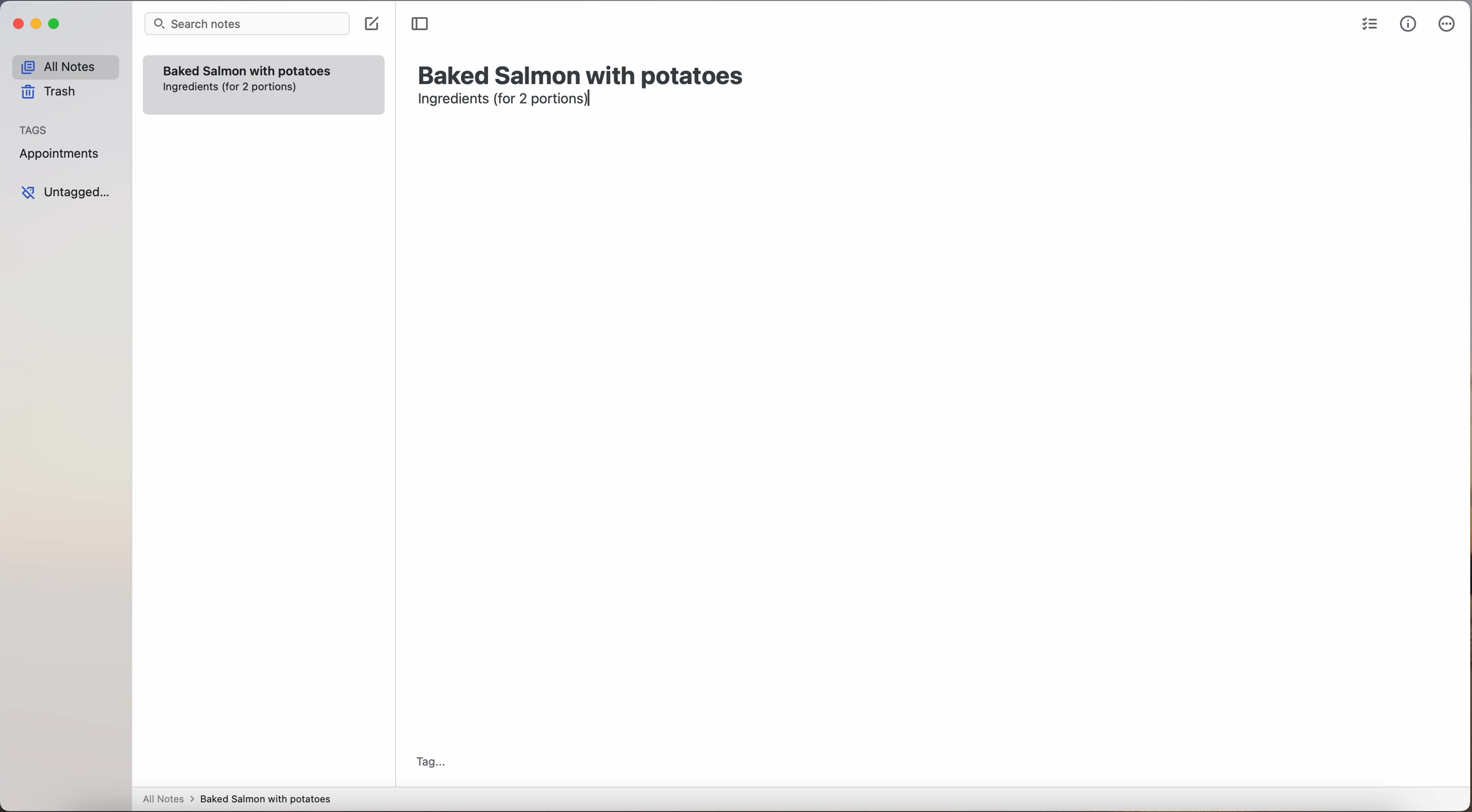 The height and width of the screenshot is (812, 1472). What do you see at coordinates (36, 25) in the screenshot?
I see `minimize Simplenote` at bounding box center [36, 25].